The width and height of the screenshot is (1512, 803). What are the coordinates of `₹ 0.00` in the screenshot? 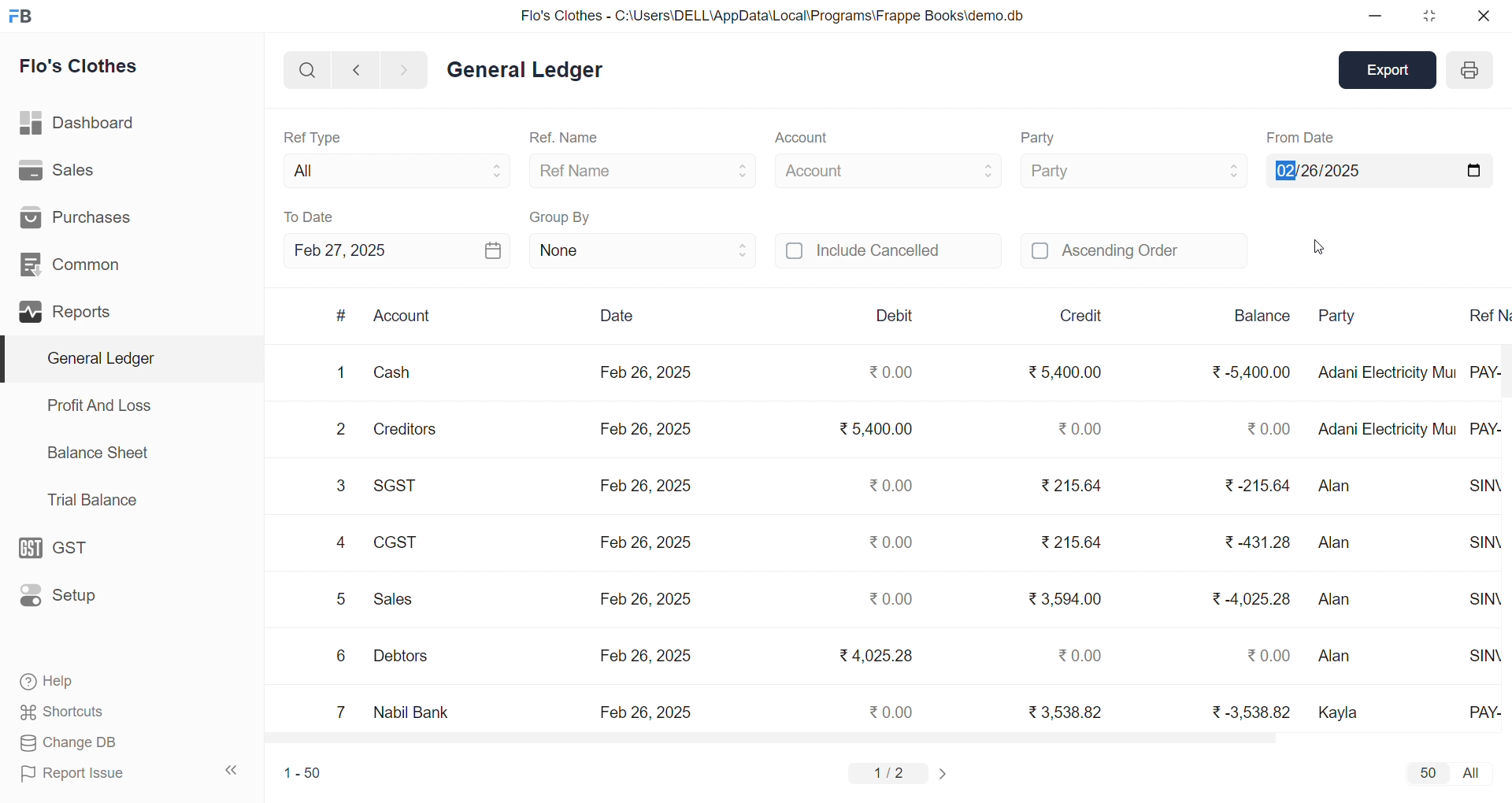 It's located at (1269, 656).